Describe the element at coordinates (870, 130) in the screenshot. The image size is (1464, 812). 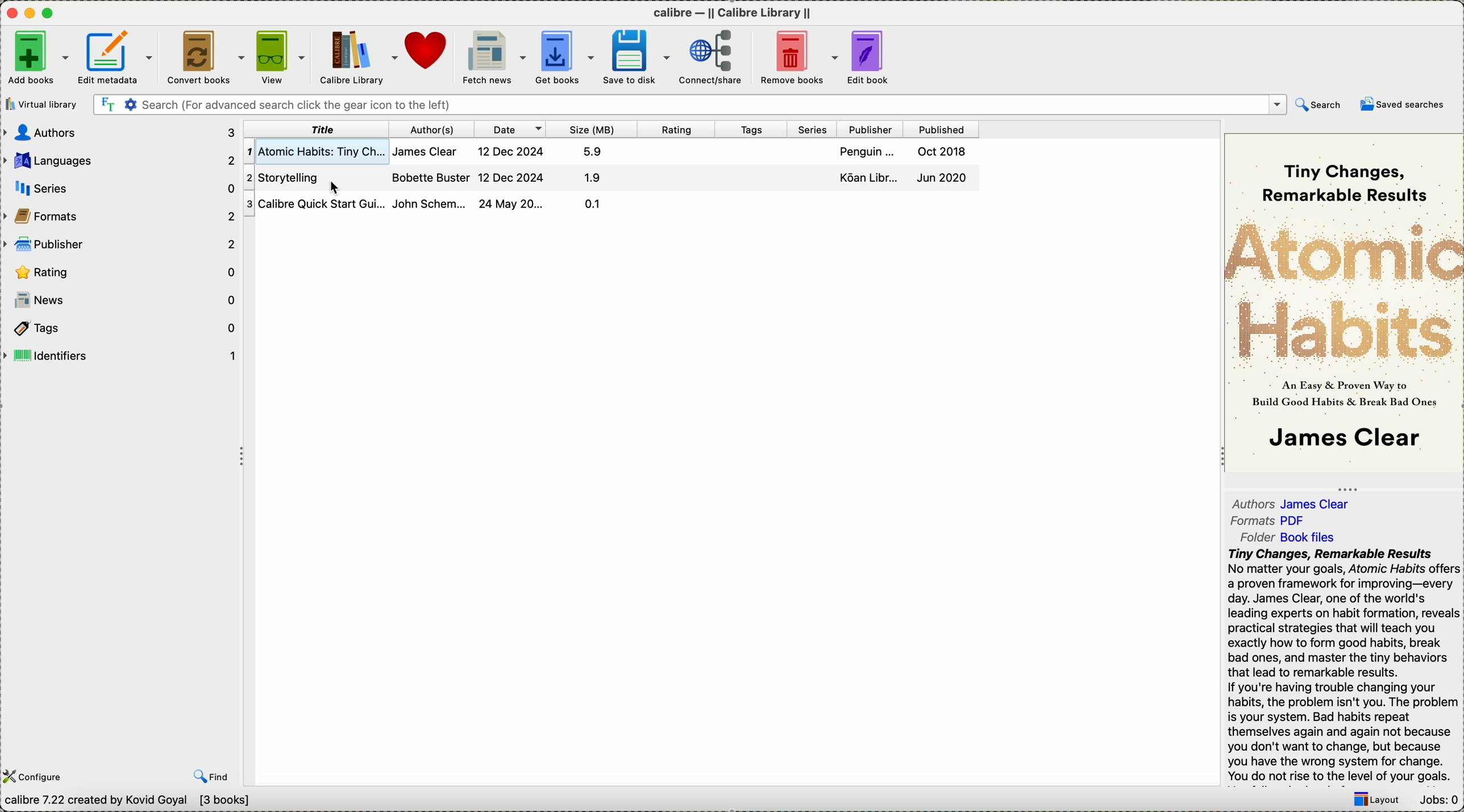
I see `publisher` at that location.